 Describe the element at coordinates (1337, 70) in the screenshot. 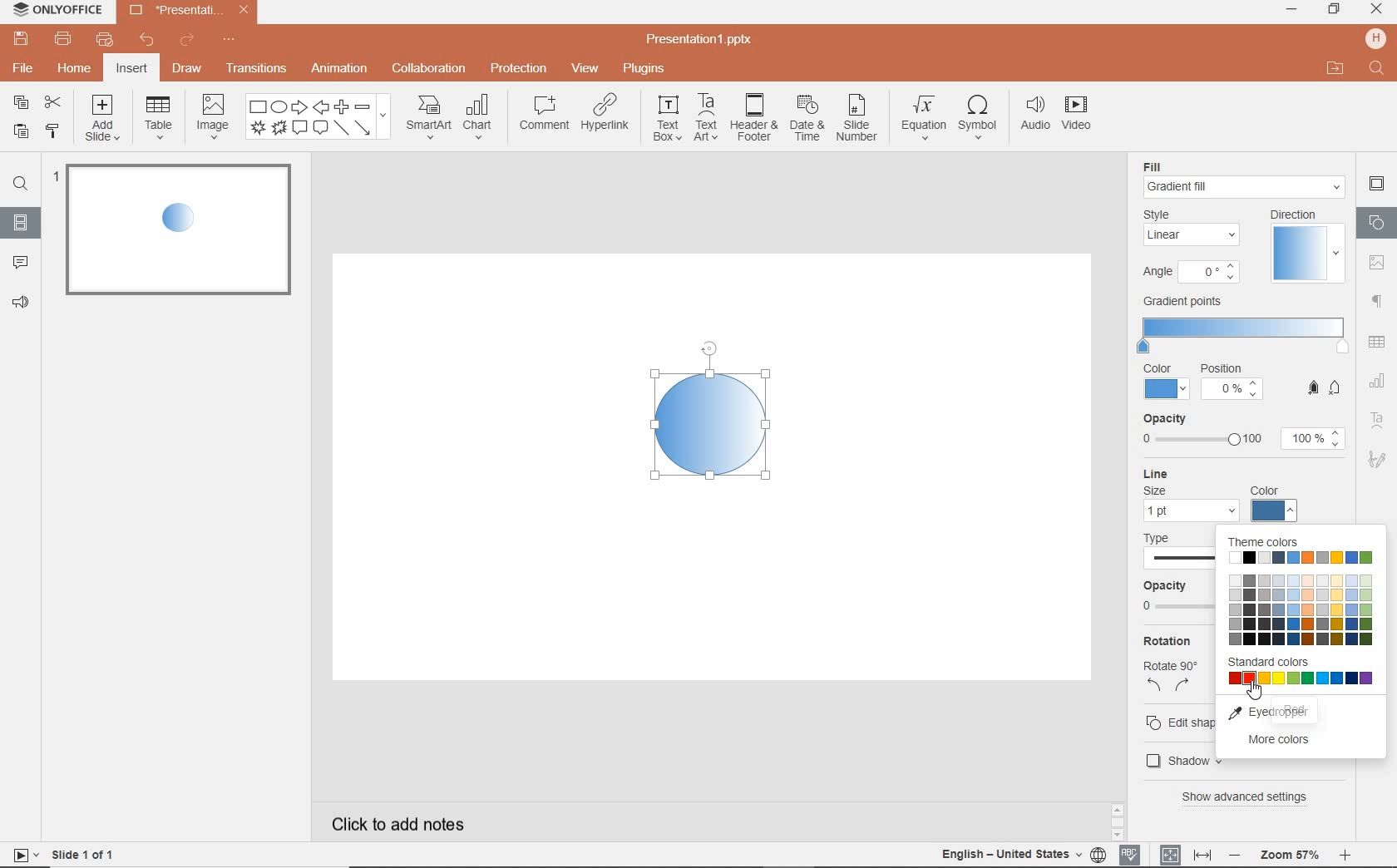

I see `open file location` at that location.